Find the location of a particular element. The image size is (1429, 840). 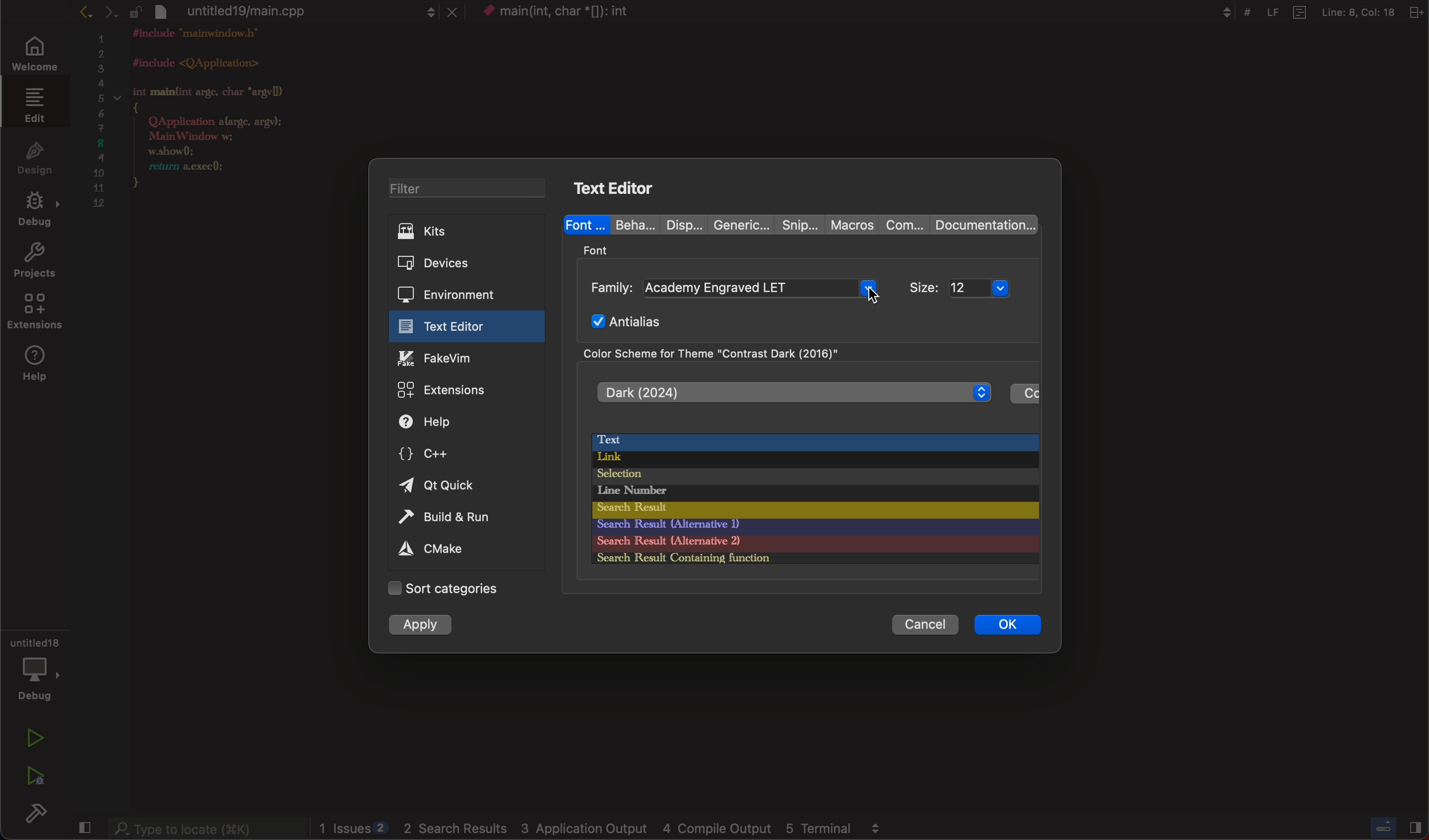

edit is located at coordinates (34, 107).